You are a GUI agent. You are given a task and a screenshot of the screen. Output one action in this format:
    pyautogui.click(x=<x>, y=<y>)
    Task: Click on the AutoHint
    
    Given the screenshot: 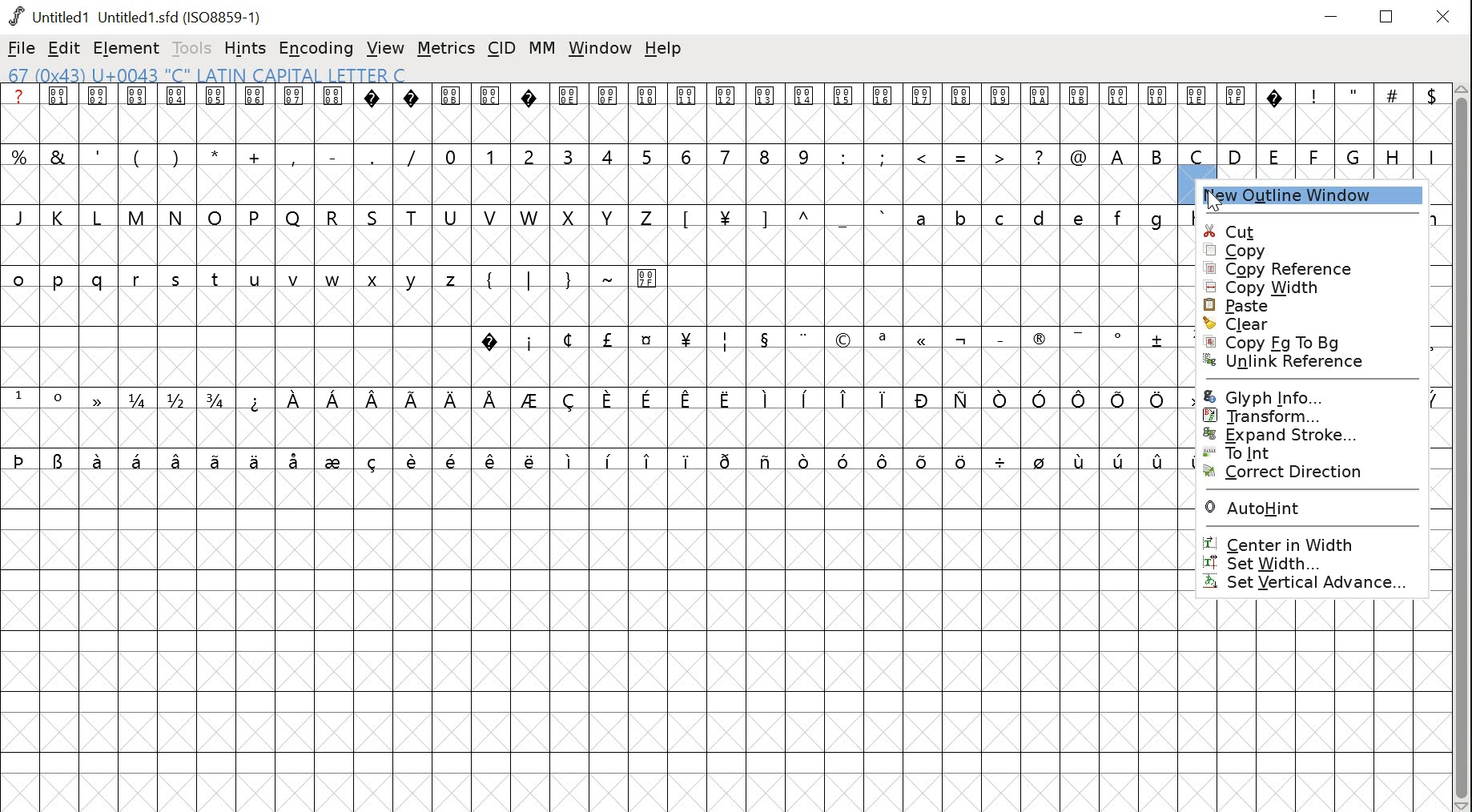 What is the action you would take?
    pyautogui.click(x=1311, y=506)
    